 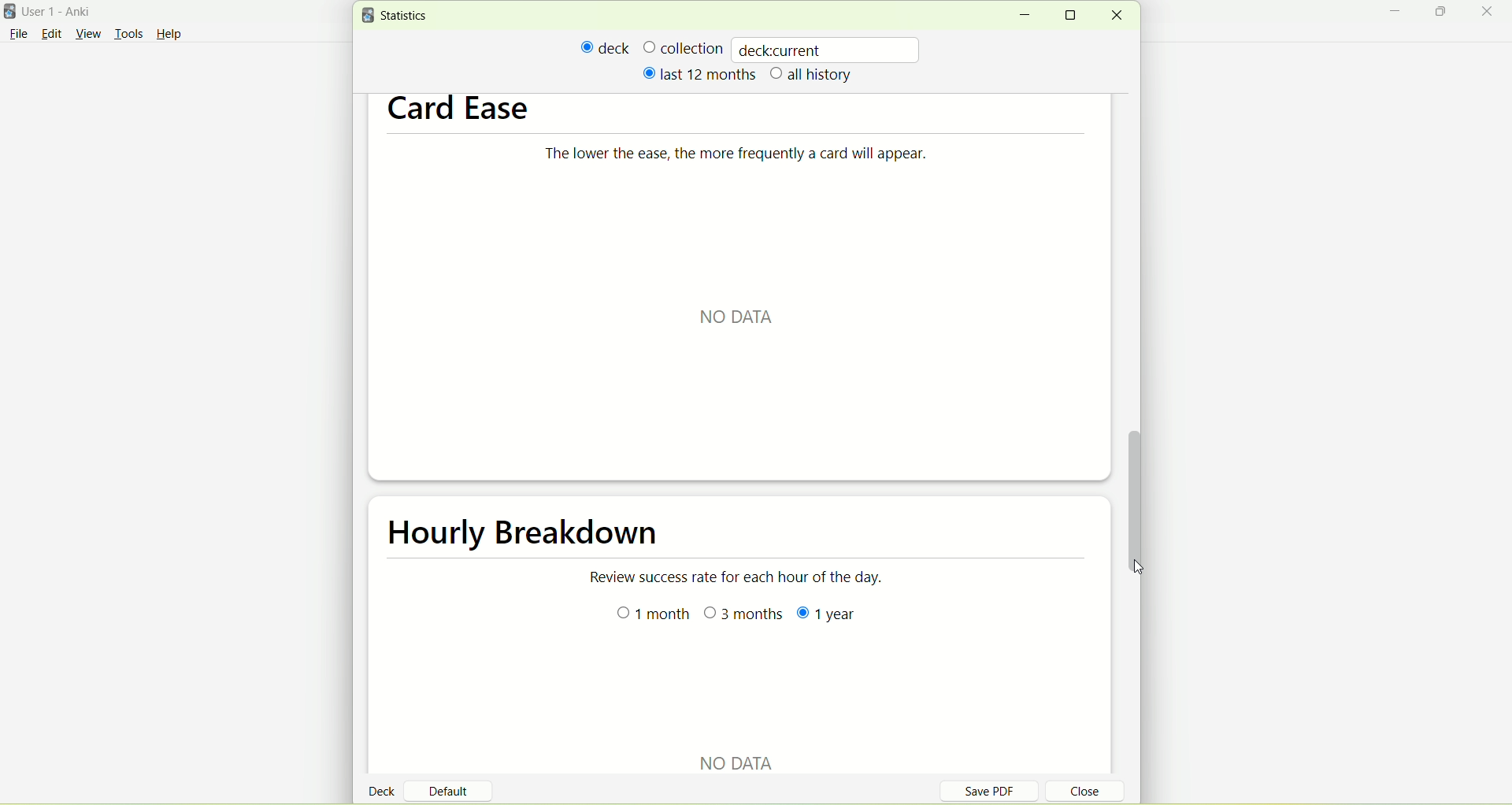 I want to click on maximize, so click(x=1076, y=15).